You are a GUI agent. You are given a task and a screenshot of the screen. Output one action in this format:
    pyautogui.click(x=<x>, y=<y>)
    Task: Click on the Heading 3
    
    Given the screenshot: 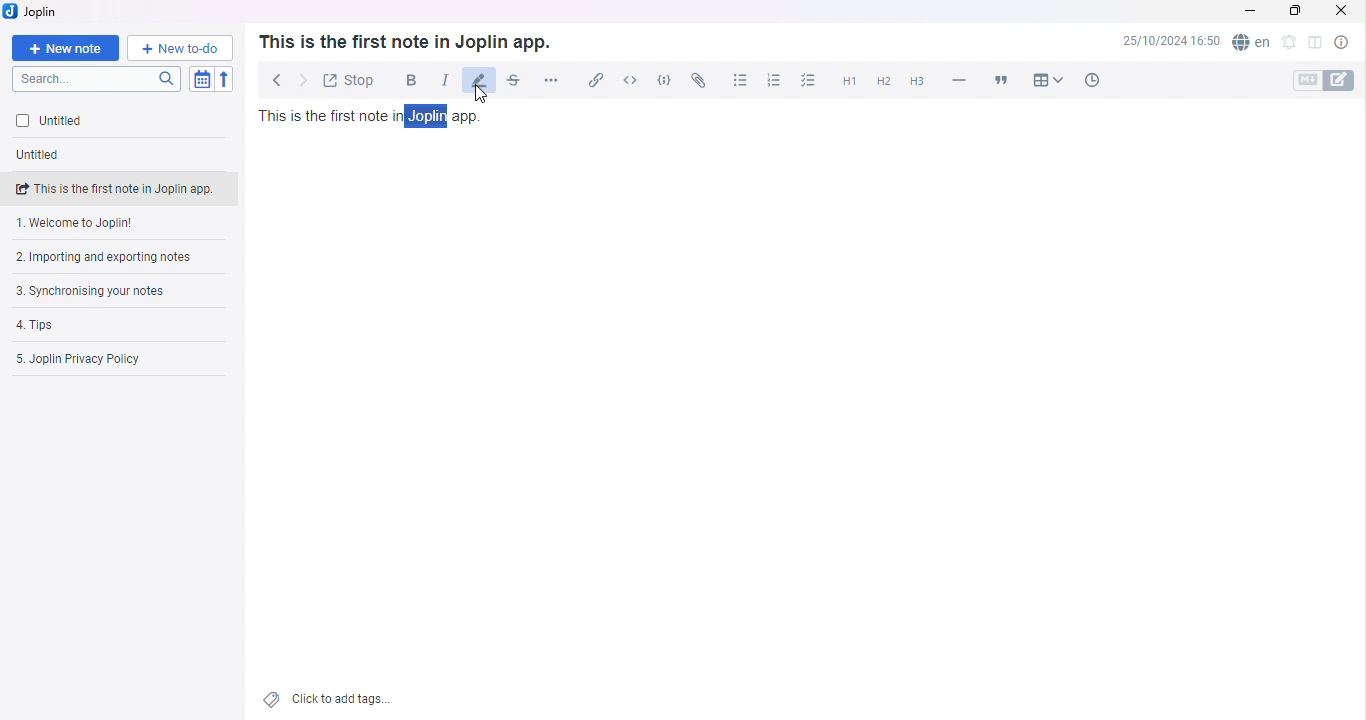 What is the action you would take?
    pyautogui.click(x=915, y=83)
    